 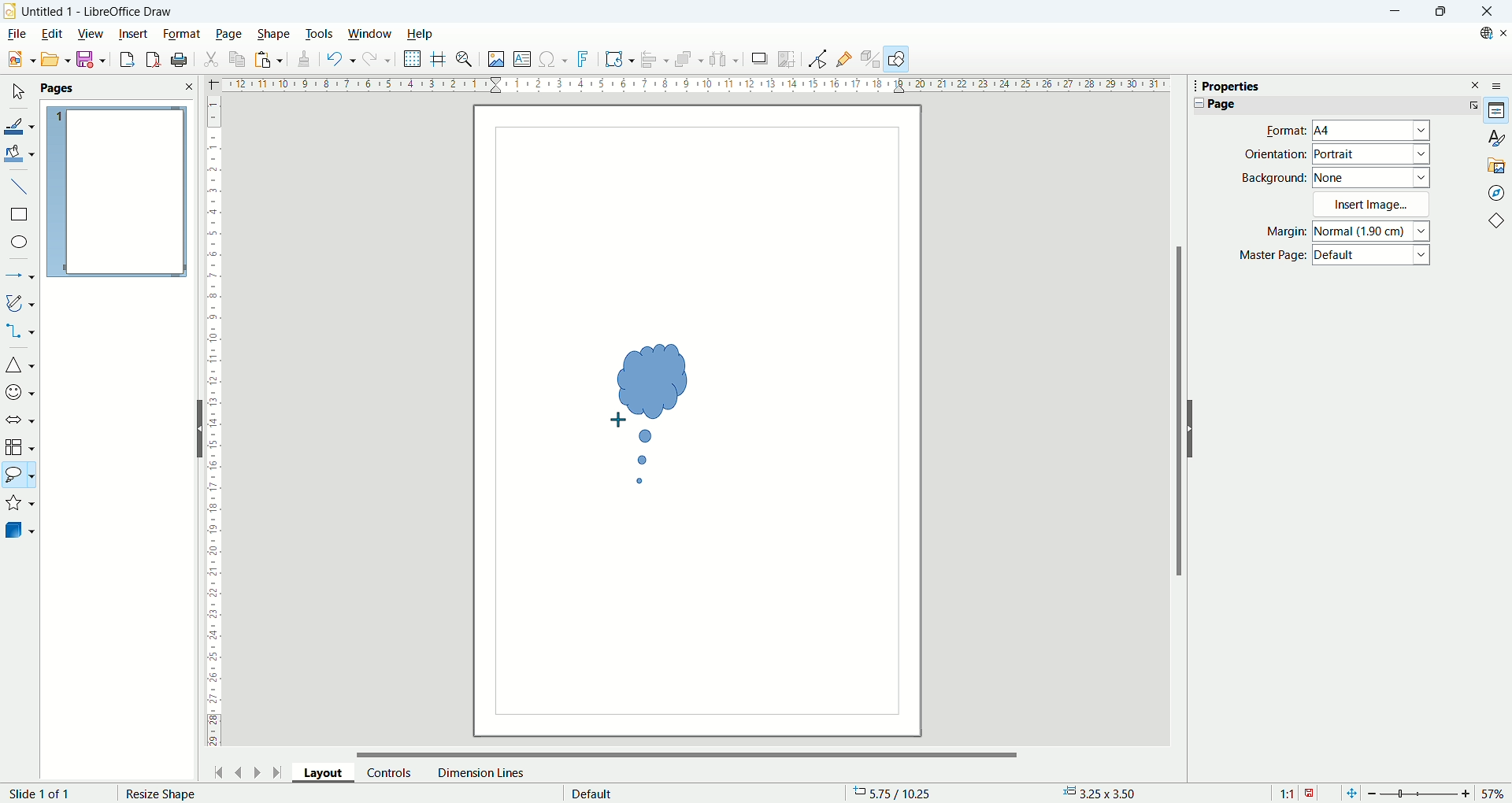 What do you see at coordinates (1436, 792) in the screenshot?
I see `zoom factor` at bounding box center [1436, 792].